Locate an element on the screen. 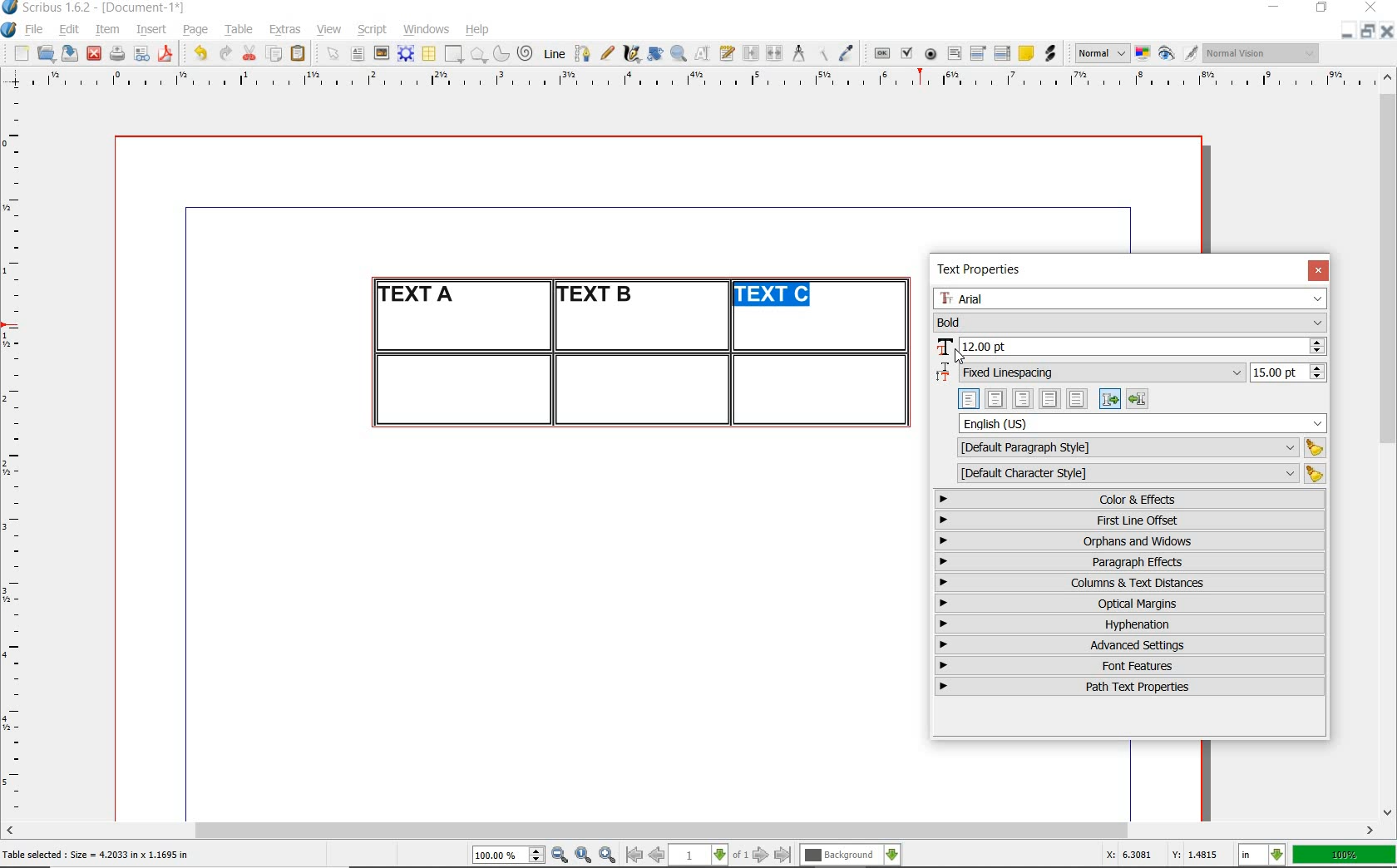 The height and width of the screenshot is (868, 1397). open is located at coordinates (45, 52).